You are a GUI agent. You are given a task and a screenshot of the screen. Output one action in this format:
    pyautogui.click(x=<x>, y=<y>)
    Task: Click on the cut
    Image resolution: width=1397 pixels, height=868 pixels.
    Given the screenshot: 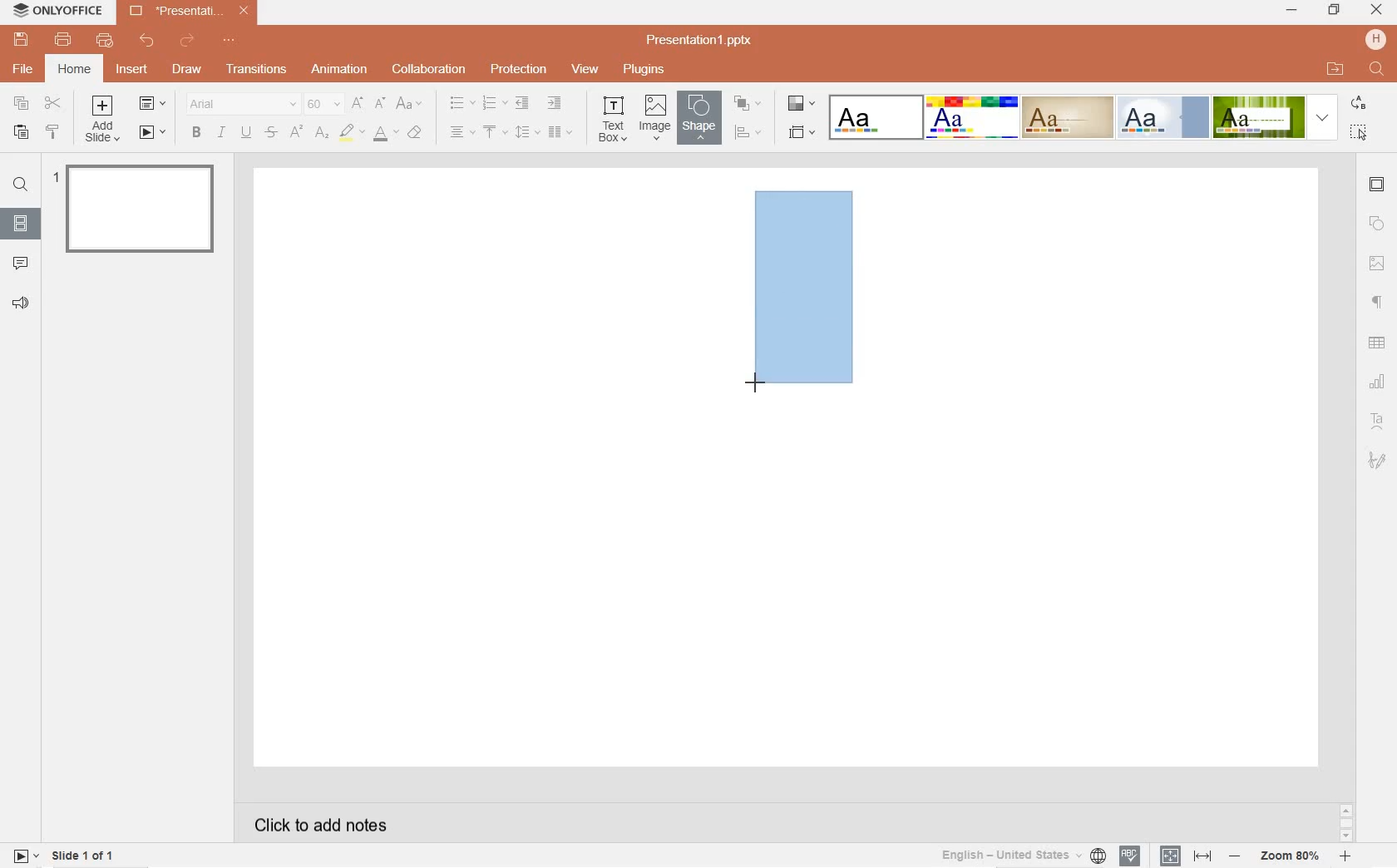 What is the action you would take?
    pyautogui.click(x=53, y=104)
    